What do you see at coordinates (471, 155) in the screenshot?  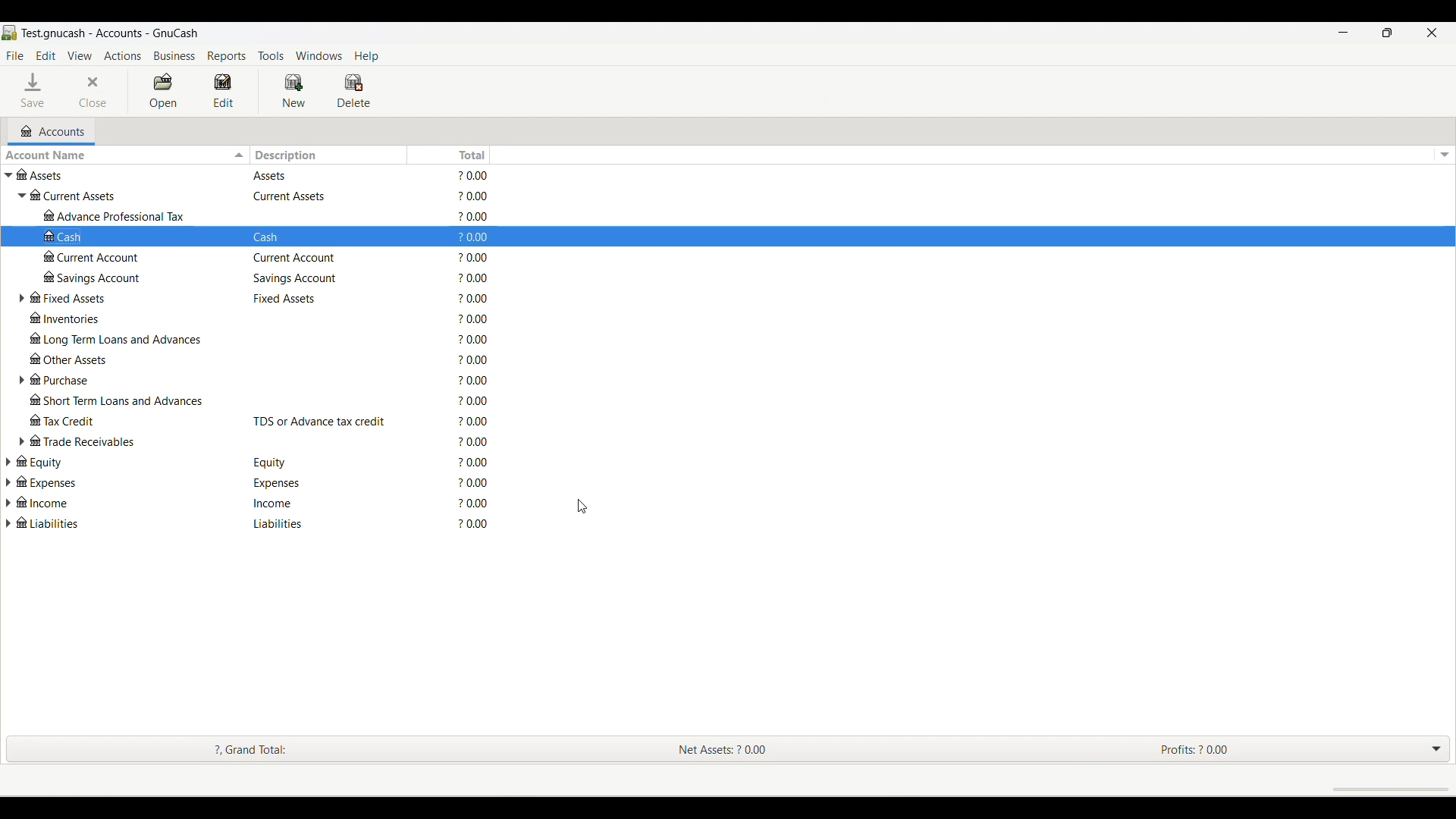 I see `Total |` at bounding box center [471, 155].